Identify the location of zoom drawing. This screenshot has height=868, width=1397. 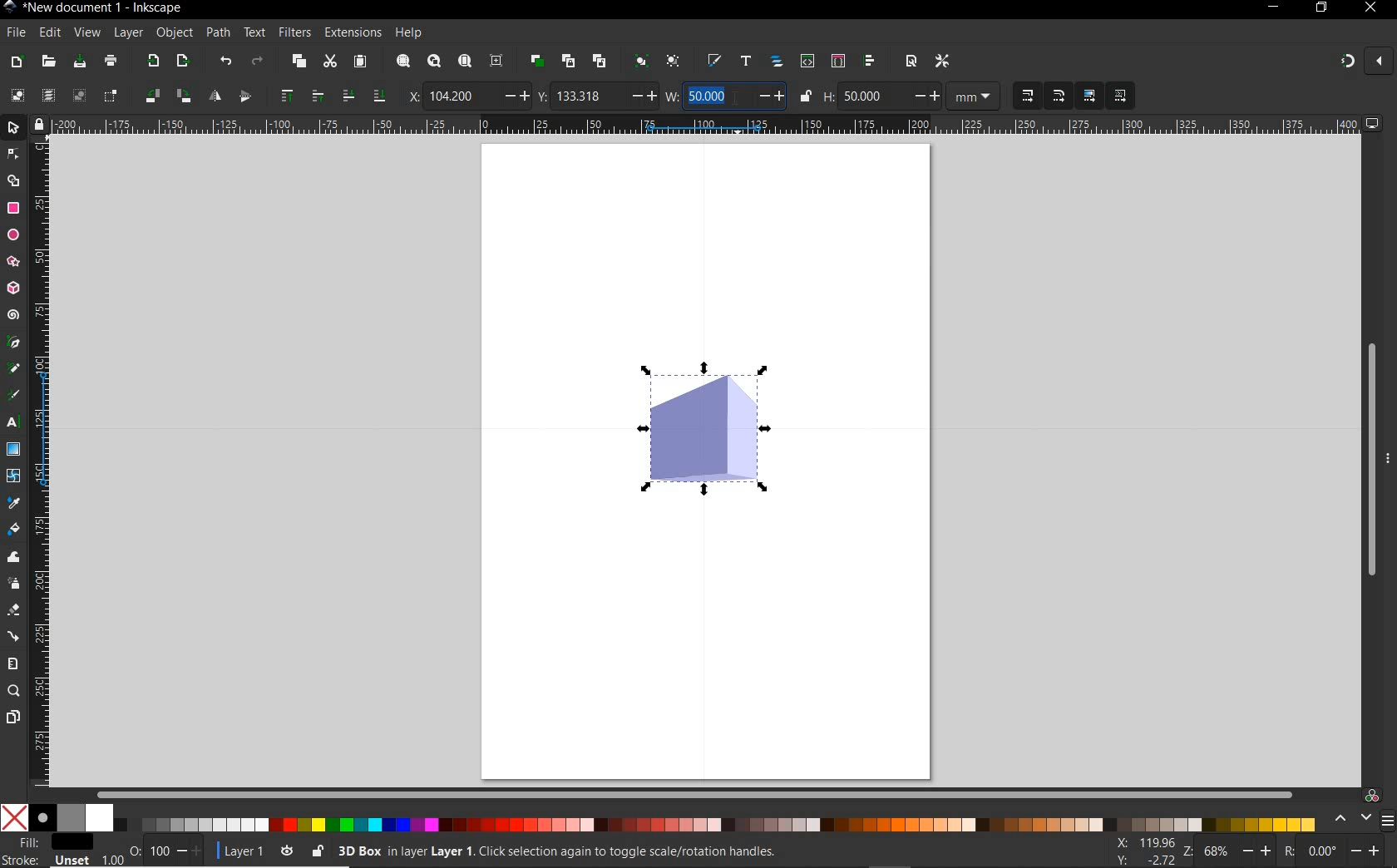
(434, 60).